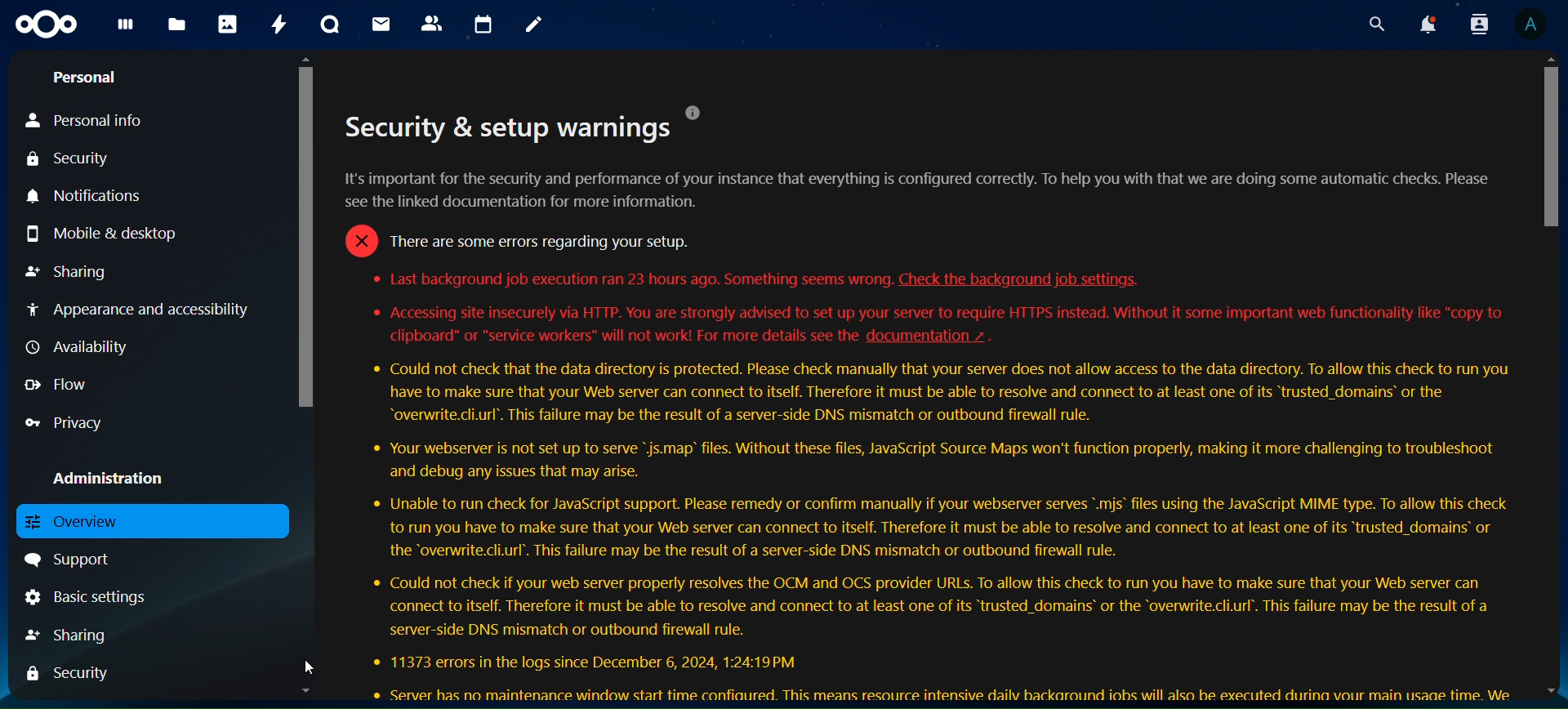 This screenshot has width=1568, height=709. What do you see at coordinates (44, 26) in the screenshot?
I see `icon` at bounding box center [44, 26].